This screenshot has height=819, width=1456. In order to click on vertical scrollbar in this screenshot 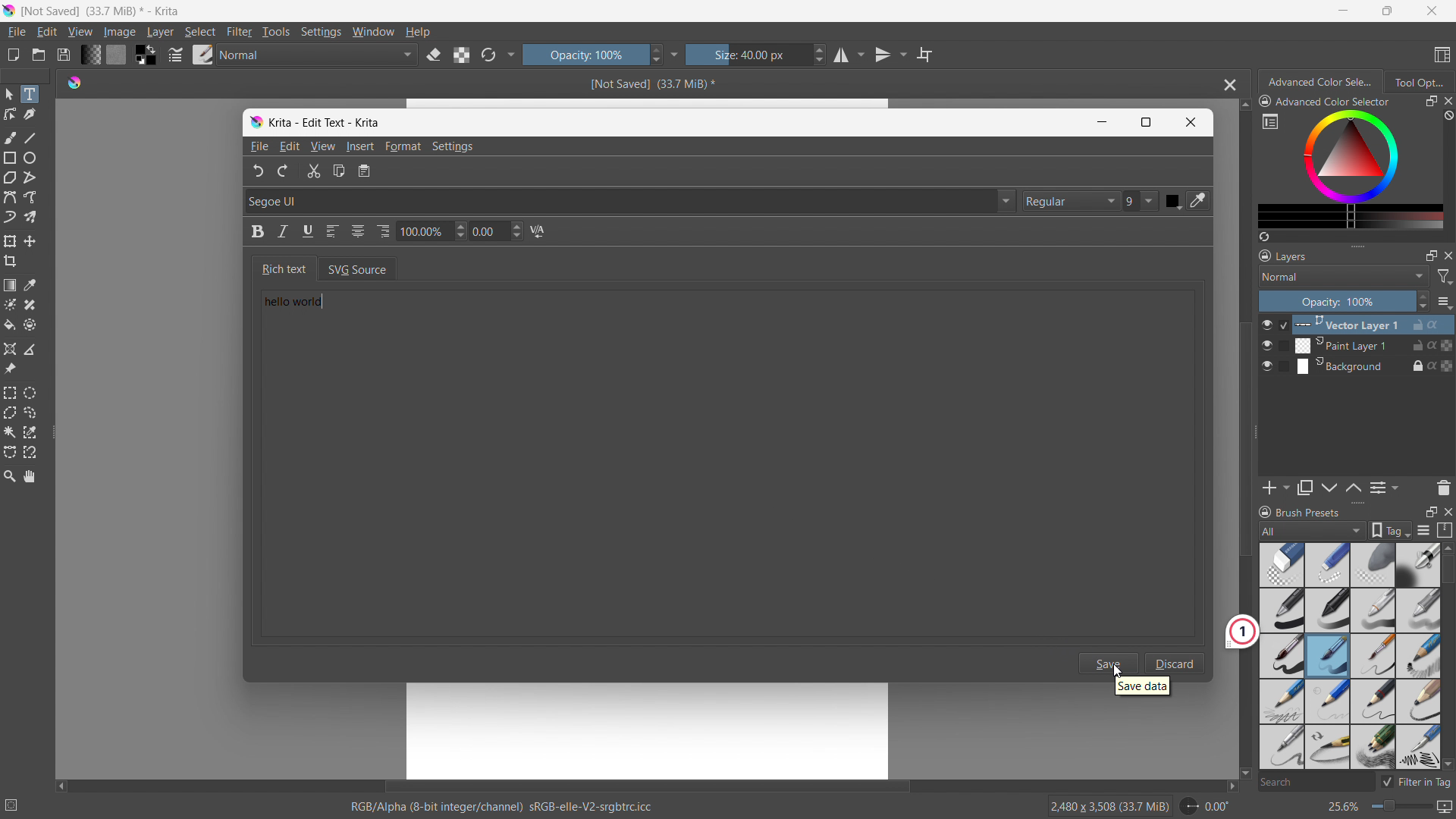, I will do `click(1241, 439)`.